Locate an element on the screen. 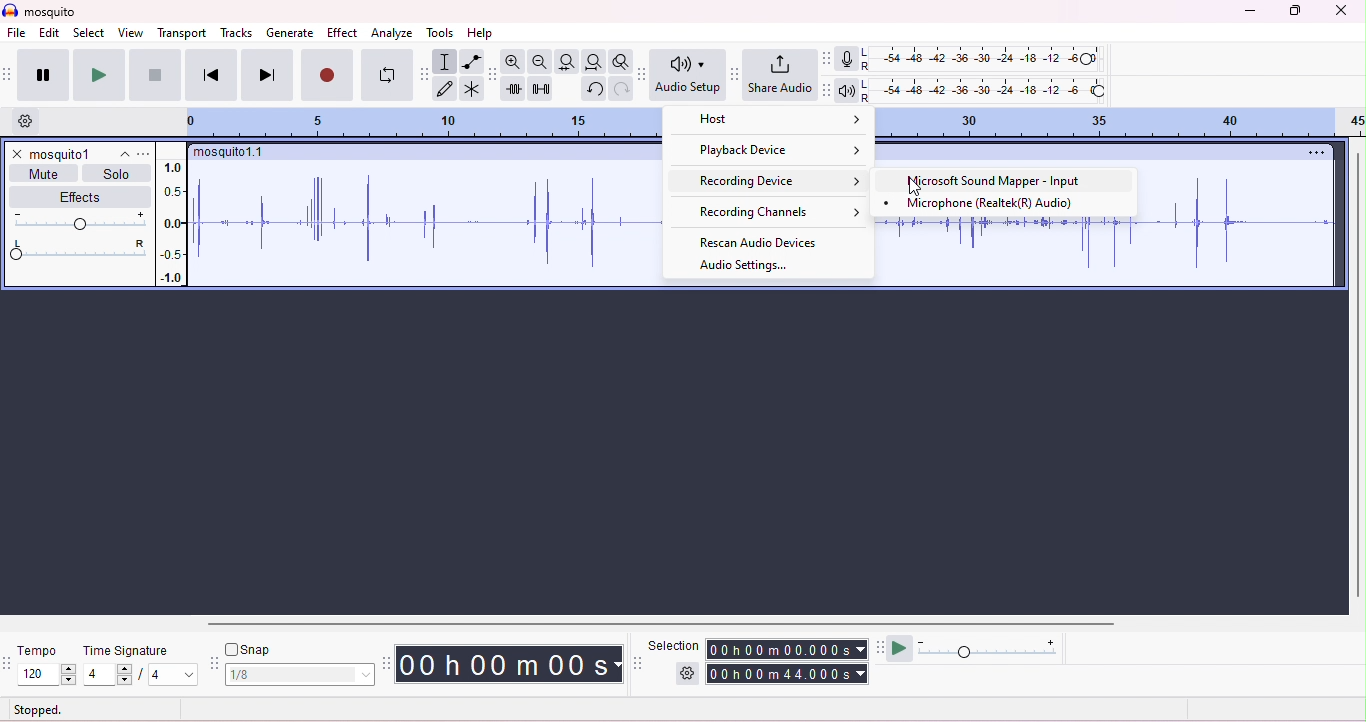  audio set up tool bar is located at coordinates (644, 74).